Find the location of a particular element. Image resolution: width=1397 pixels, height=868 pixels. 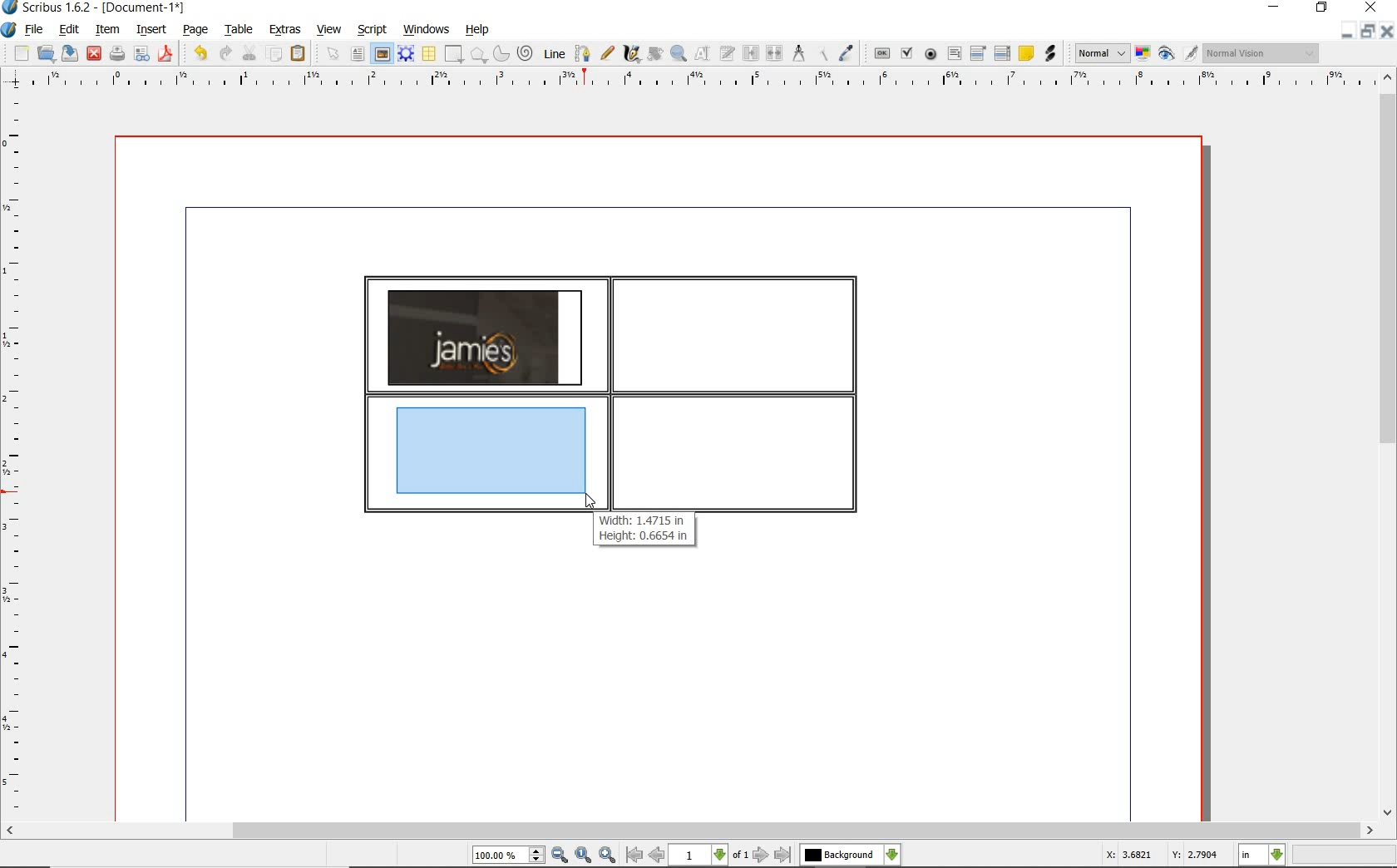

zoom to is located at coordinates (583, 856).